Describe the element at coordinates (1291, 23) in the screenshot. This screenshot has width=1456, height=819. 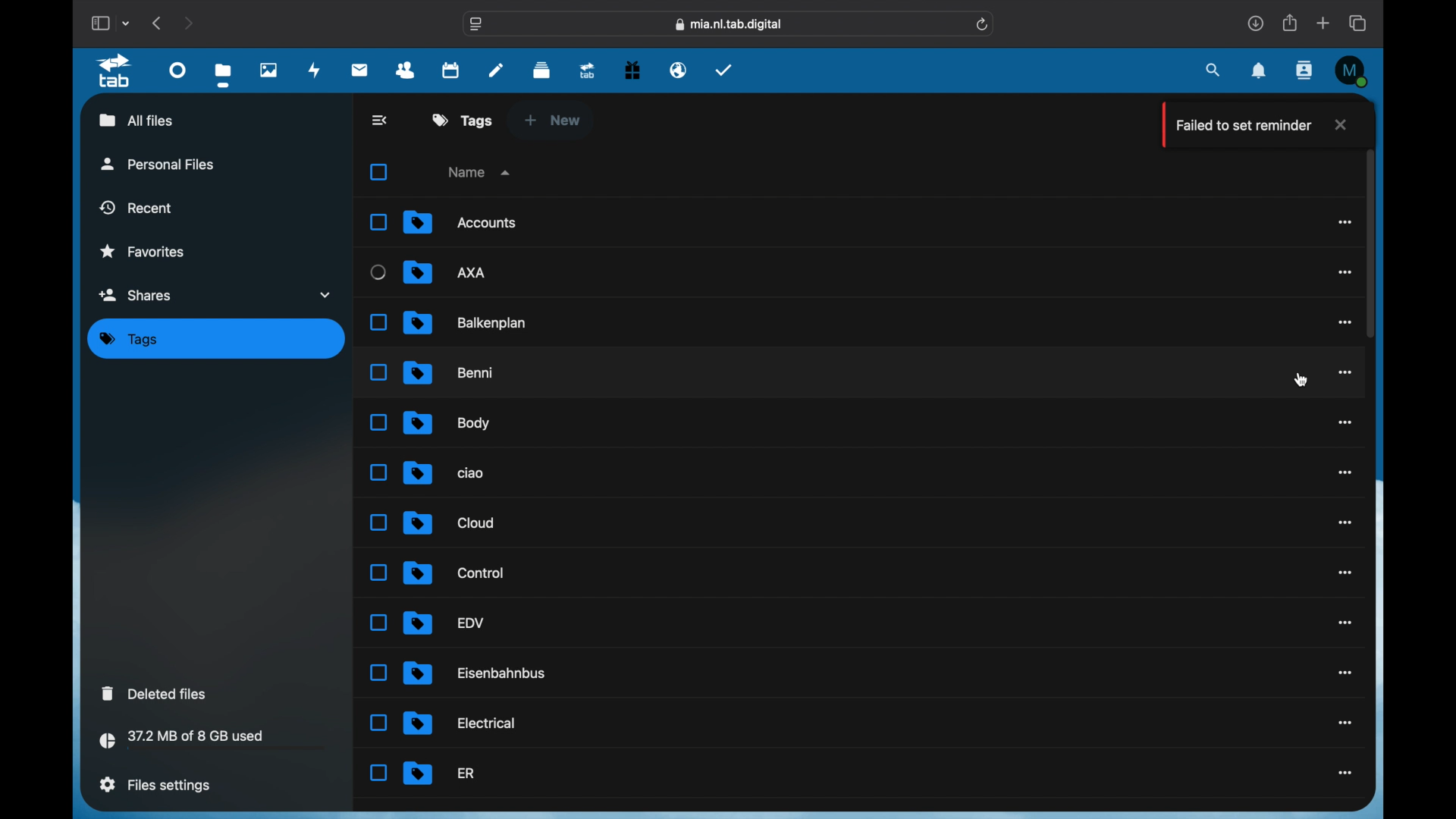
I see `share` at that location.